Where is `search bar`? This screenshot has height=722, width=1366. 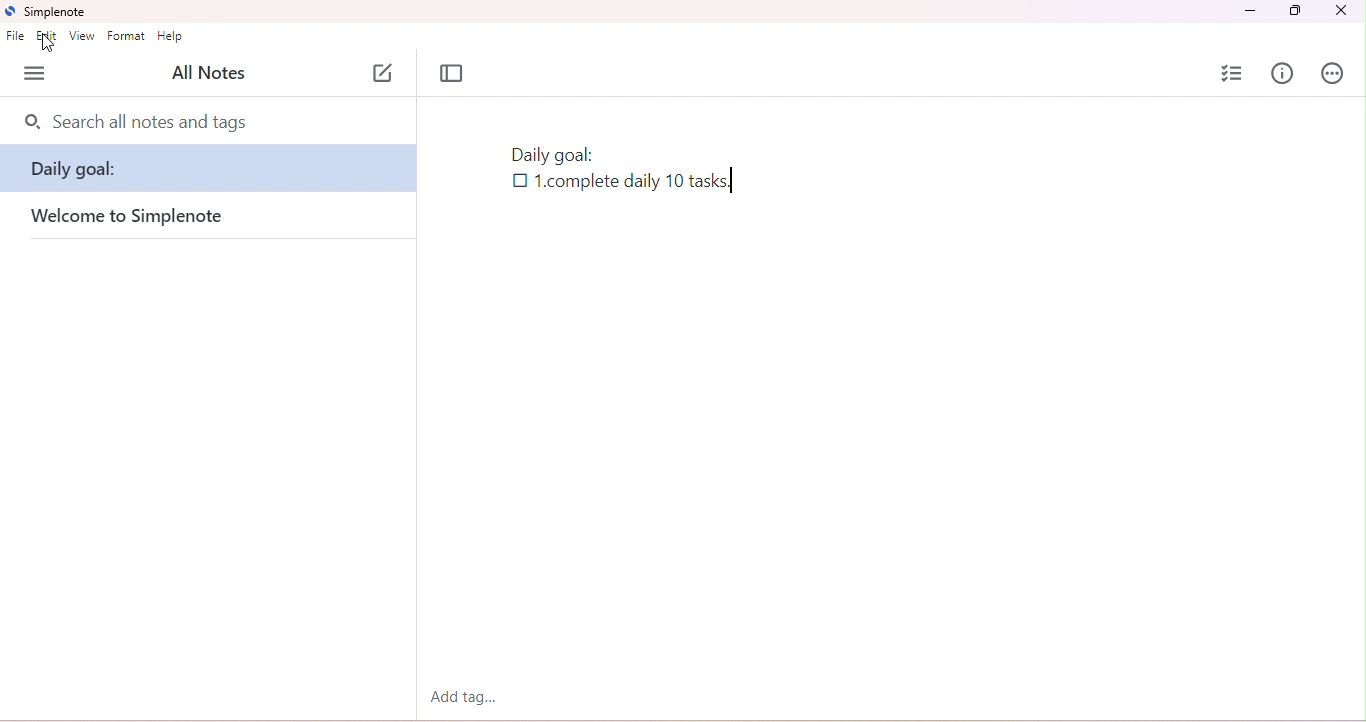 search bar is located at coordinates (210, 118).